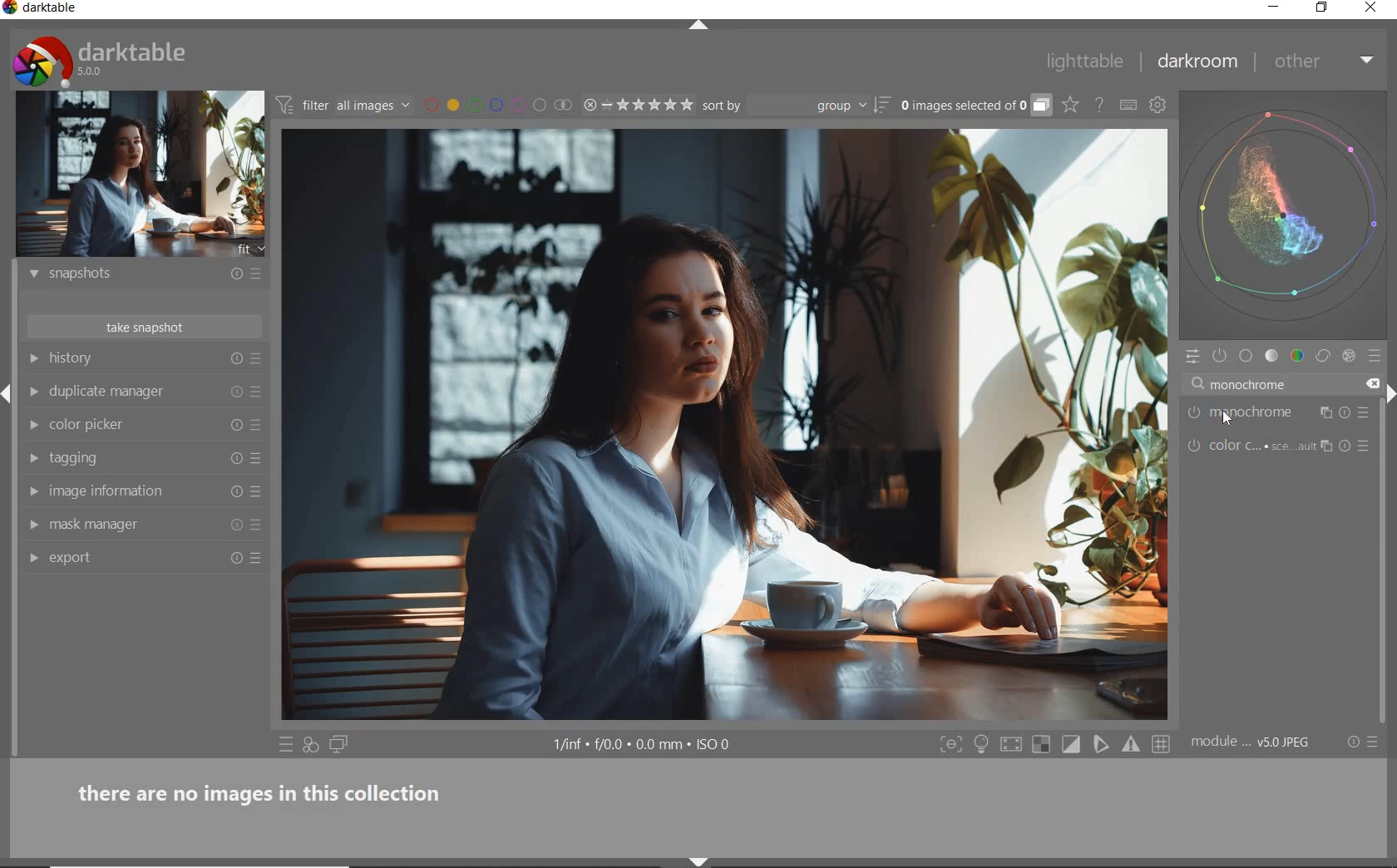 This screenshot has height=868, width=1397. I want to click on quick access panel, so click(1189, 357).